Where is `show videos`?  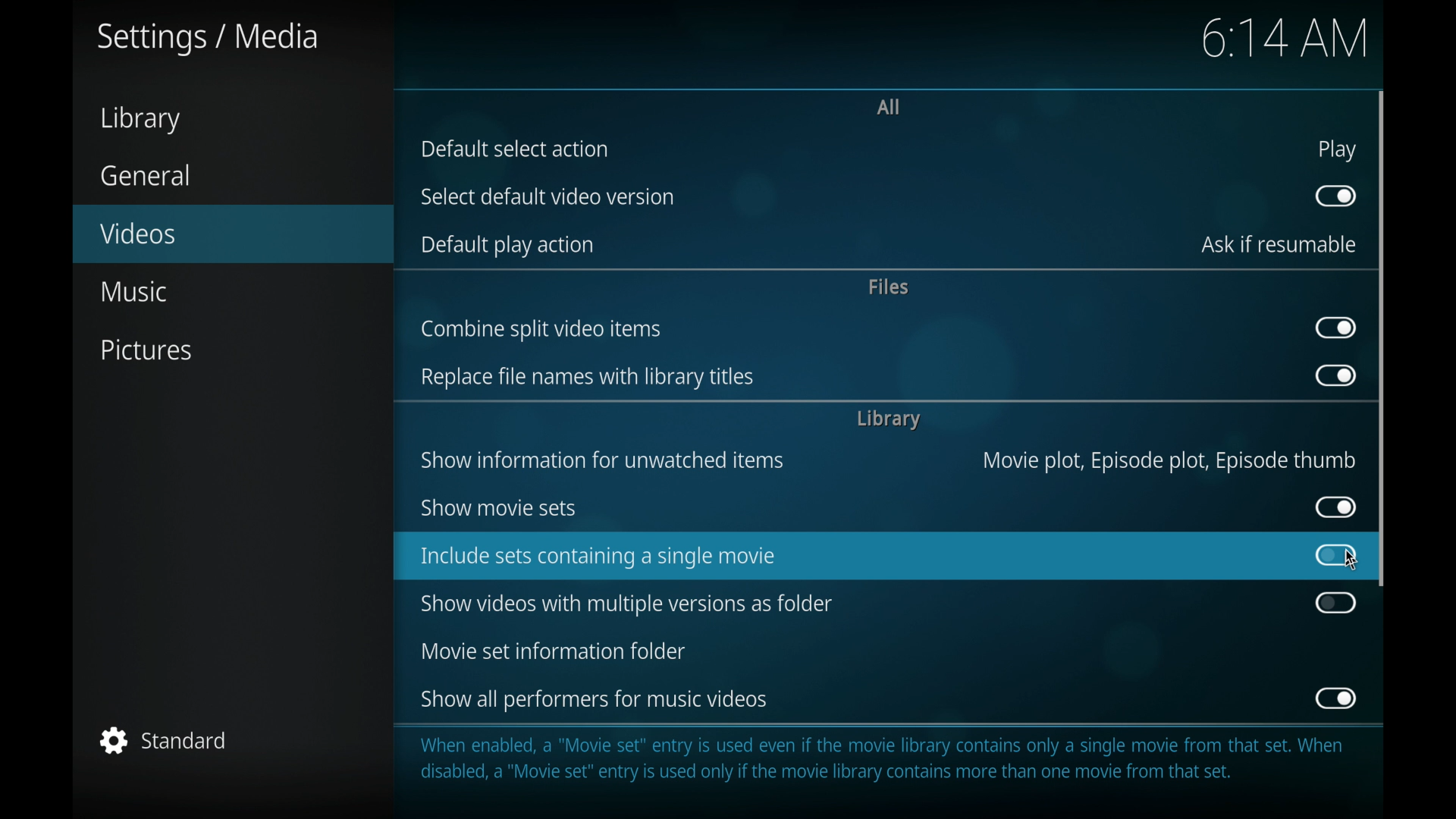 show videos is located at coordinates (626, 604).